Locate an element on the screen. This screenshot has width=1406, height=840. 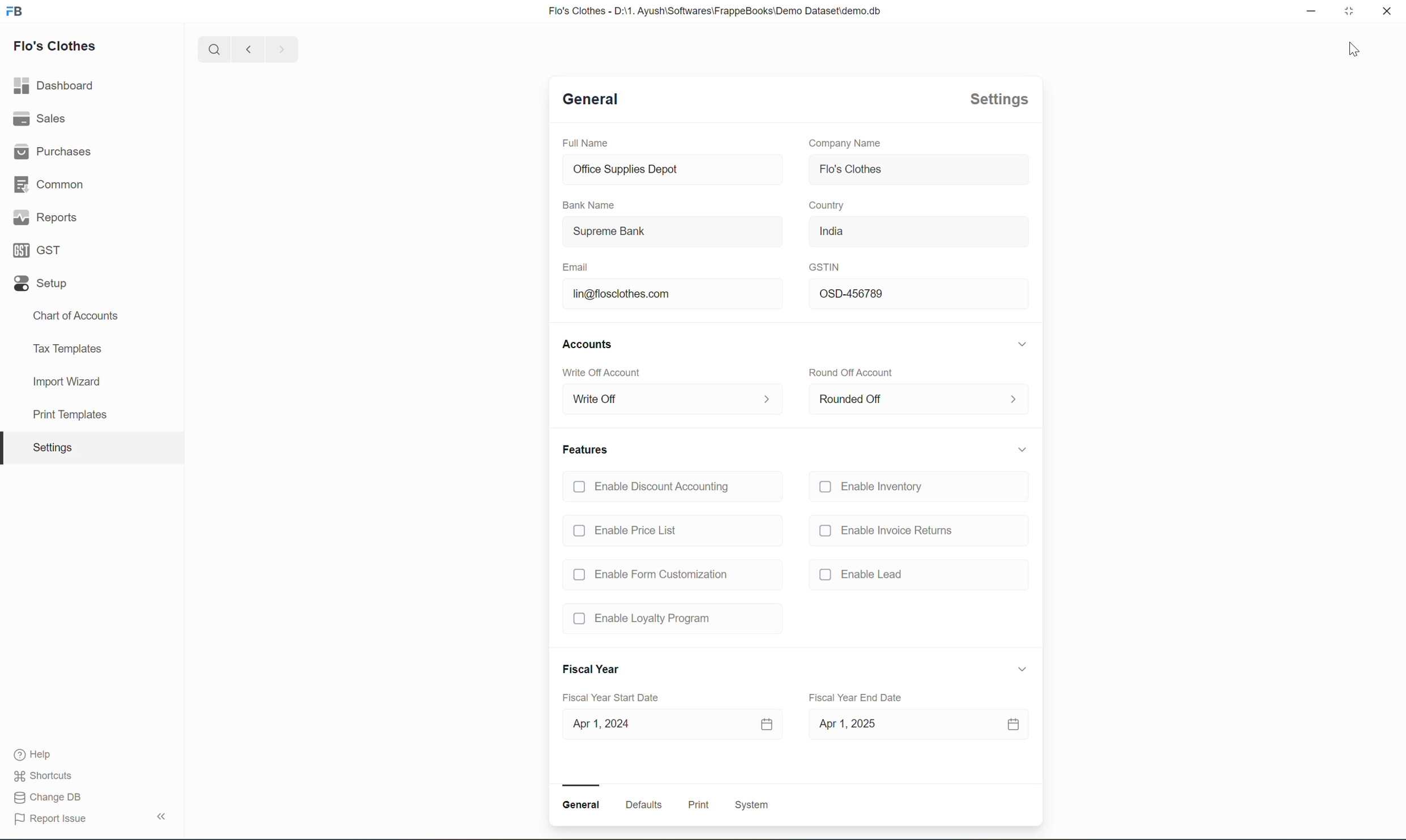
Settings is located at coordinates (50, 447).